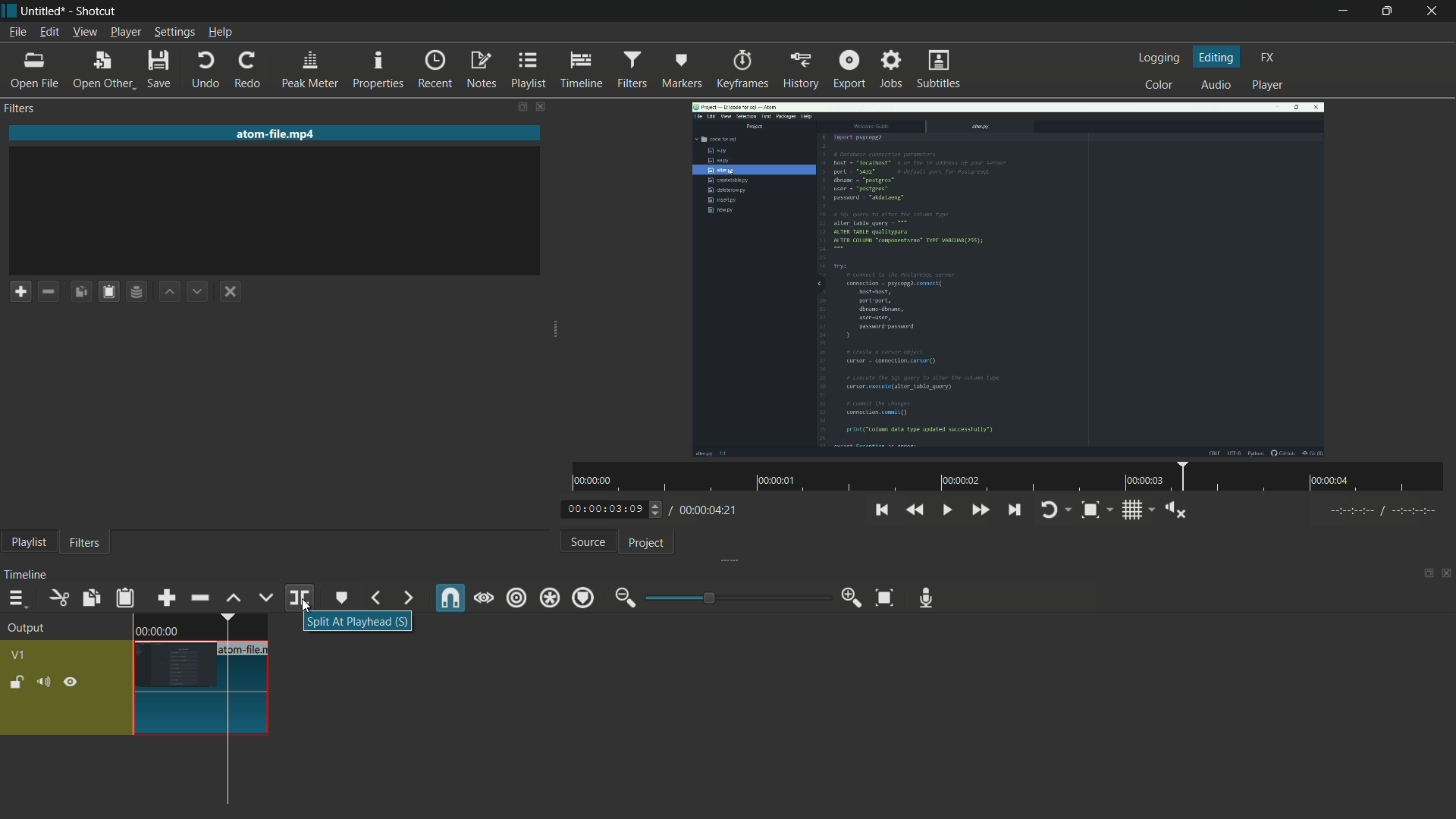 This screenshot has width=1456, height=819. What do you see at coordinates (606, 508) in the screenshot?
I see `current time` at bounding box center [606, 508].